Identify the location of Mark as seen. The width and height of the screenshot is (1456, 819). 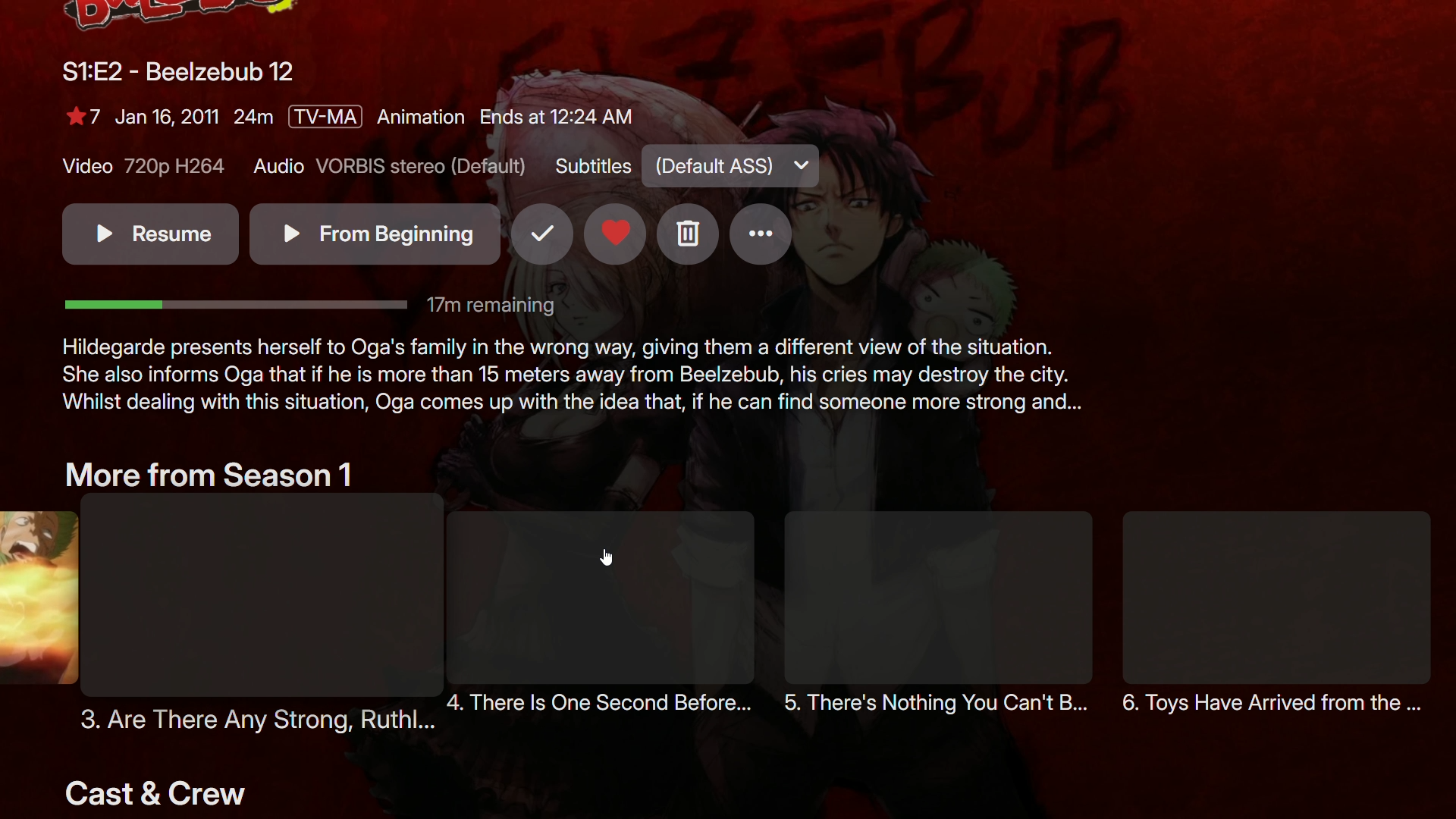
(541, 236).